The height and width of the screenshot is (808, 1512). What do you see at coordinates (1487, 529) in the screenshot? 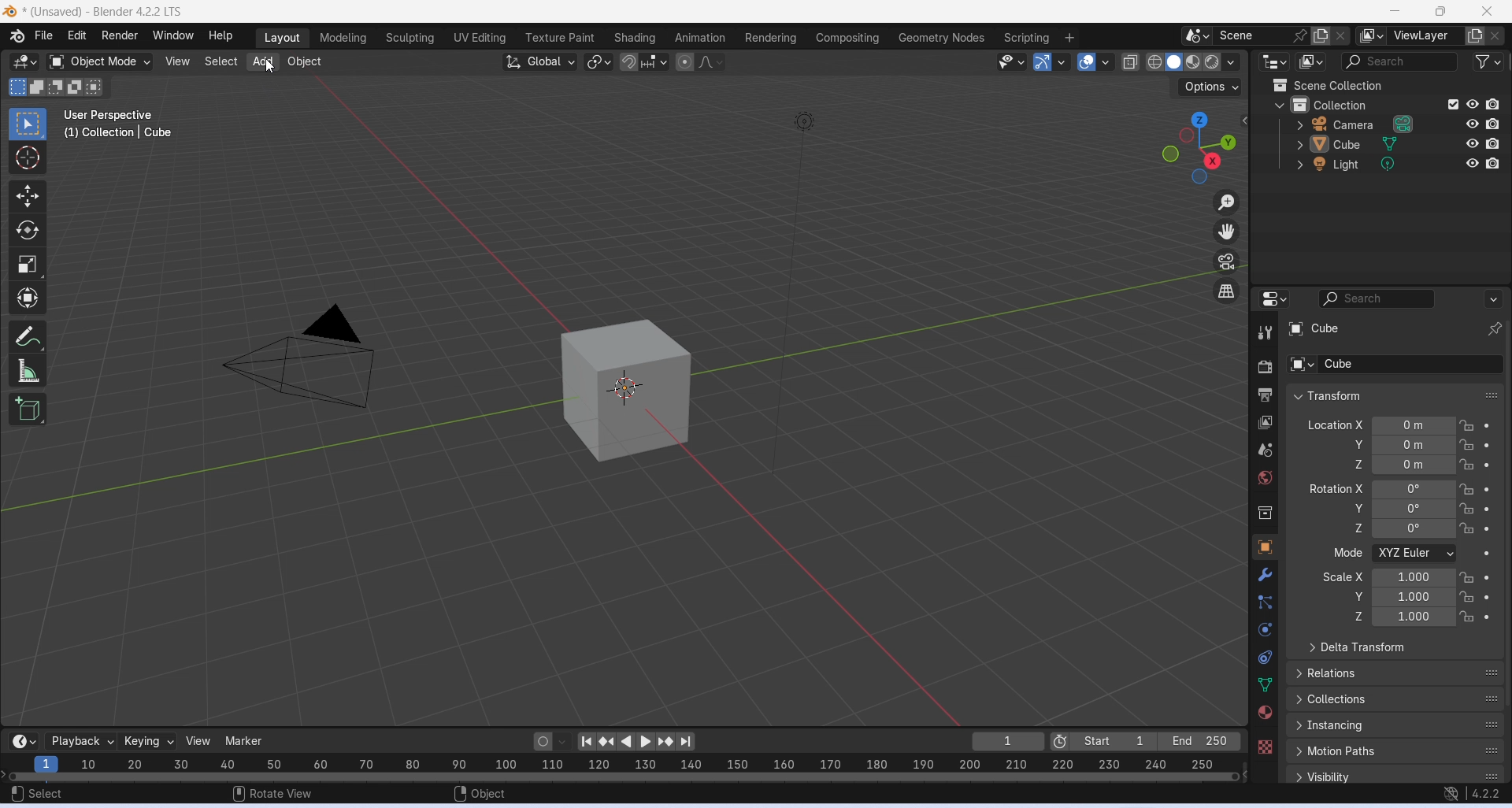
I see `animate property` at bounding box center [1487, 529].